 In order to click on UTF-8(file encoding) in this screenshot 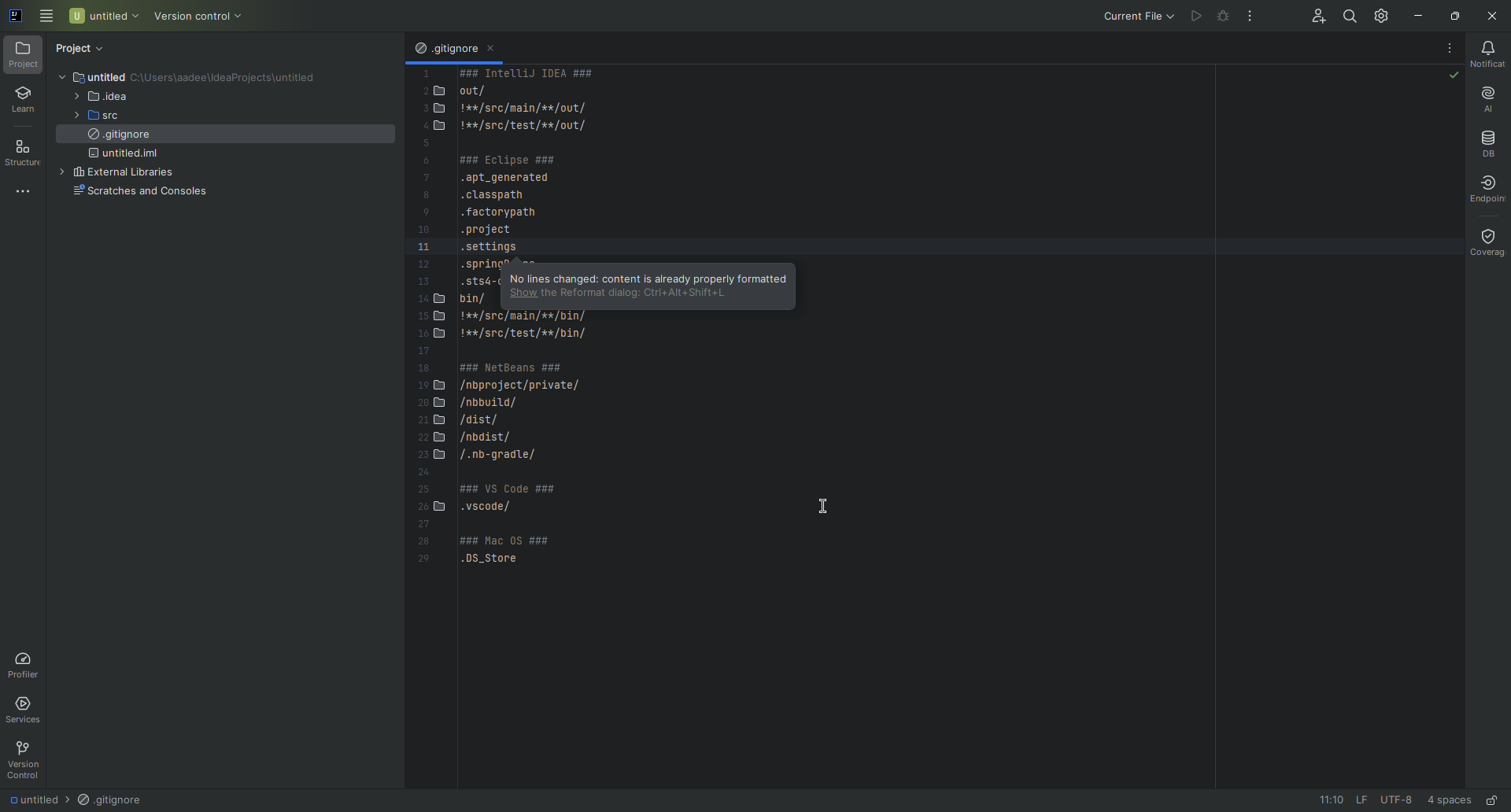, I will do `click(1396, 800)`.